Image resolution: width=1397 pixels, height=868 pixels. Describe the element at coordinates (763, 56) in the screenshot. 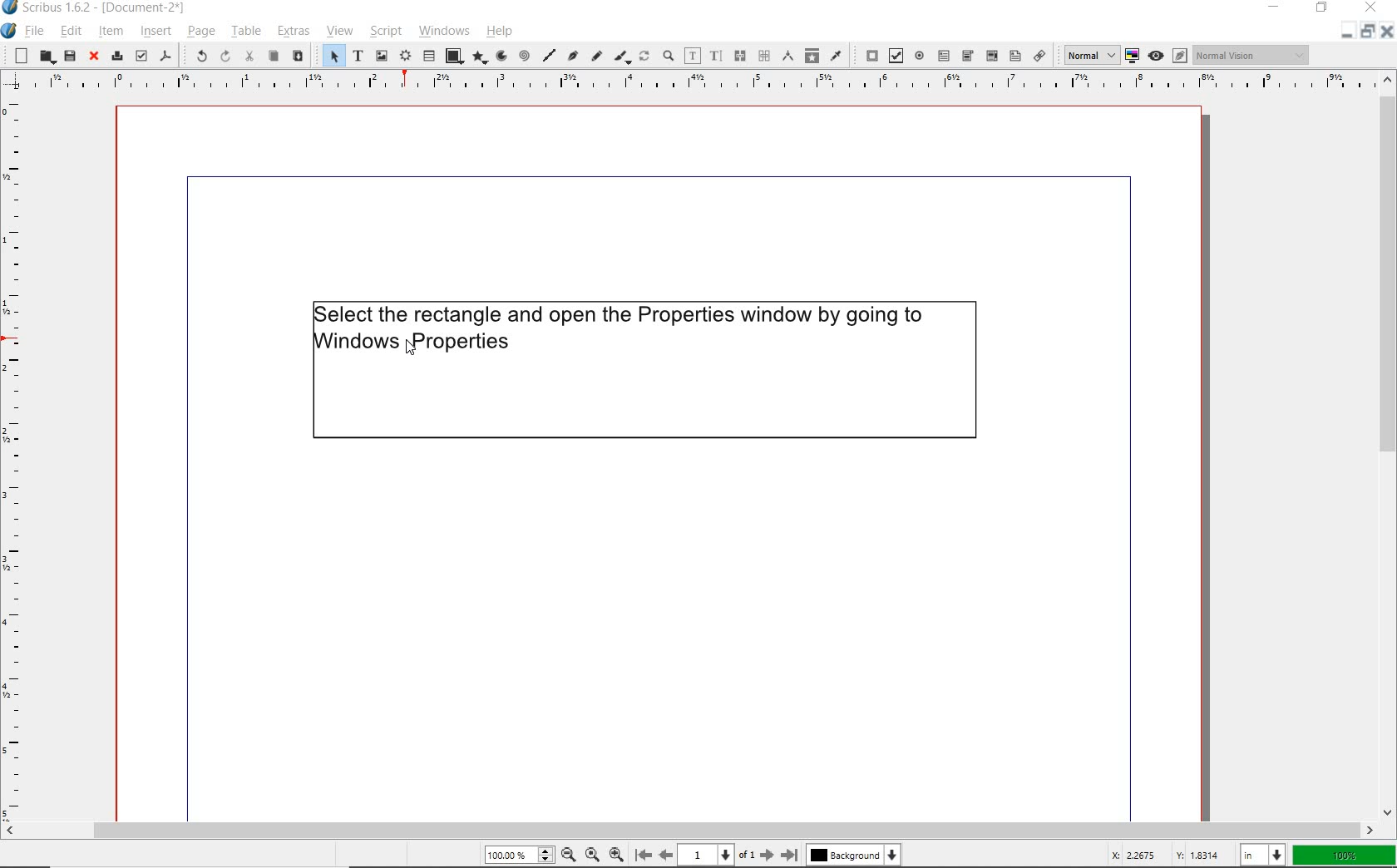

I see `unlink text frames` at that location.